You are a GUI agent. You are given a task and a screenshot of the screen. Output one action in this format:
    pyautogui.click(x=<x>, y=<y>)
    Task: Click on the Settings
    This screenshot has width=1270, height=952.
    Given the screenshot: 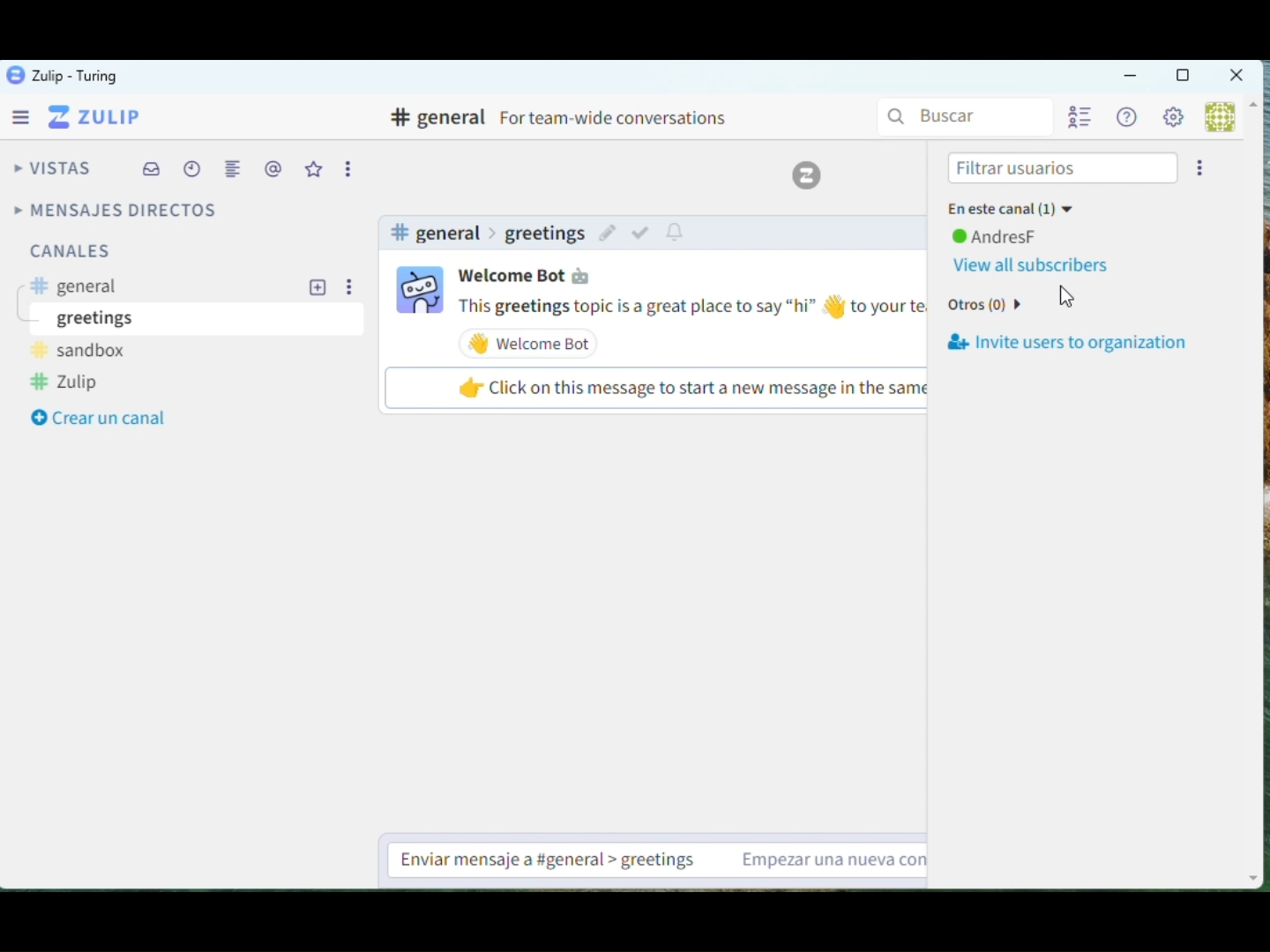 What is the action you would take?
    pyautogui.click(x=1176, y=116)
    